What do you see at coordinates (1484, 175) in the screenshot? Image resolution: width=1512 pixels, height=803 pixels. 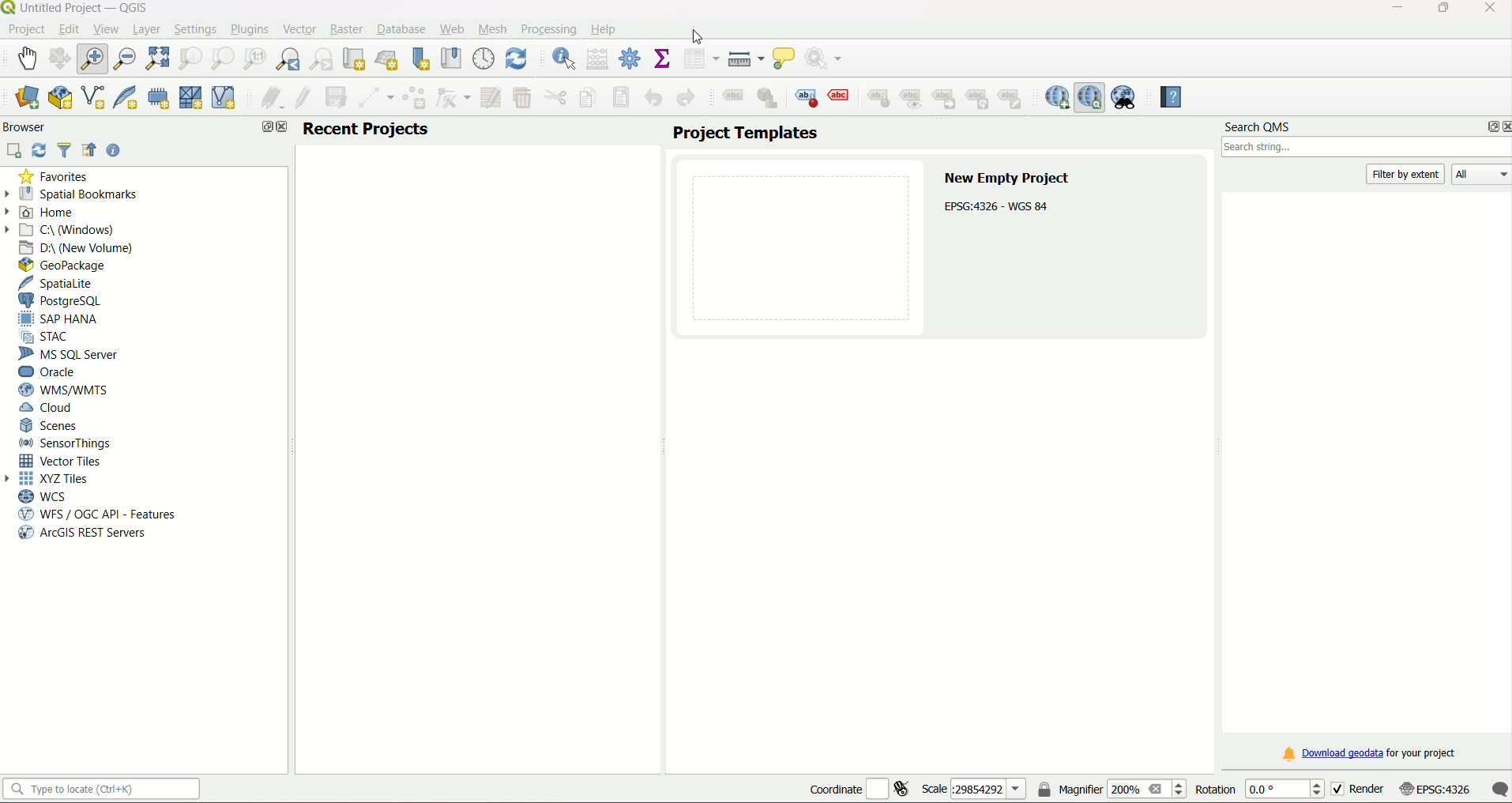 I see `All` at bounding box center [1484, 175].